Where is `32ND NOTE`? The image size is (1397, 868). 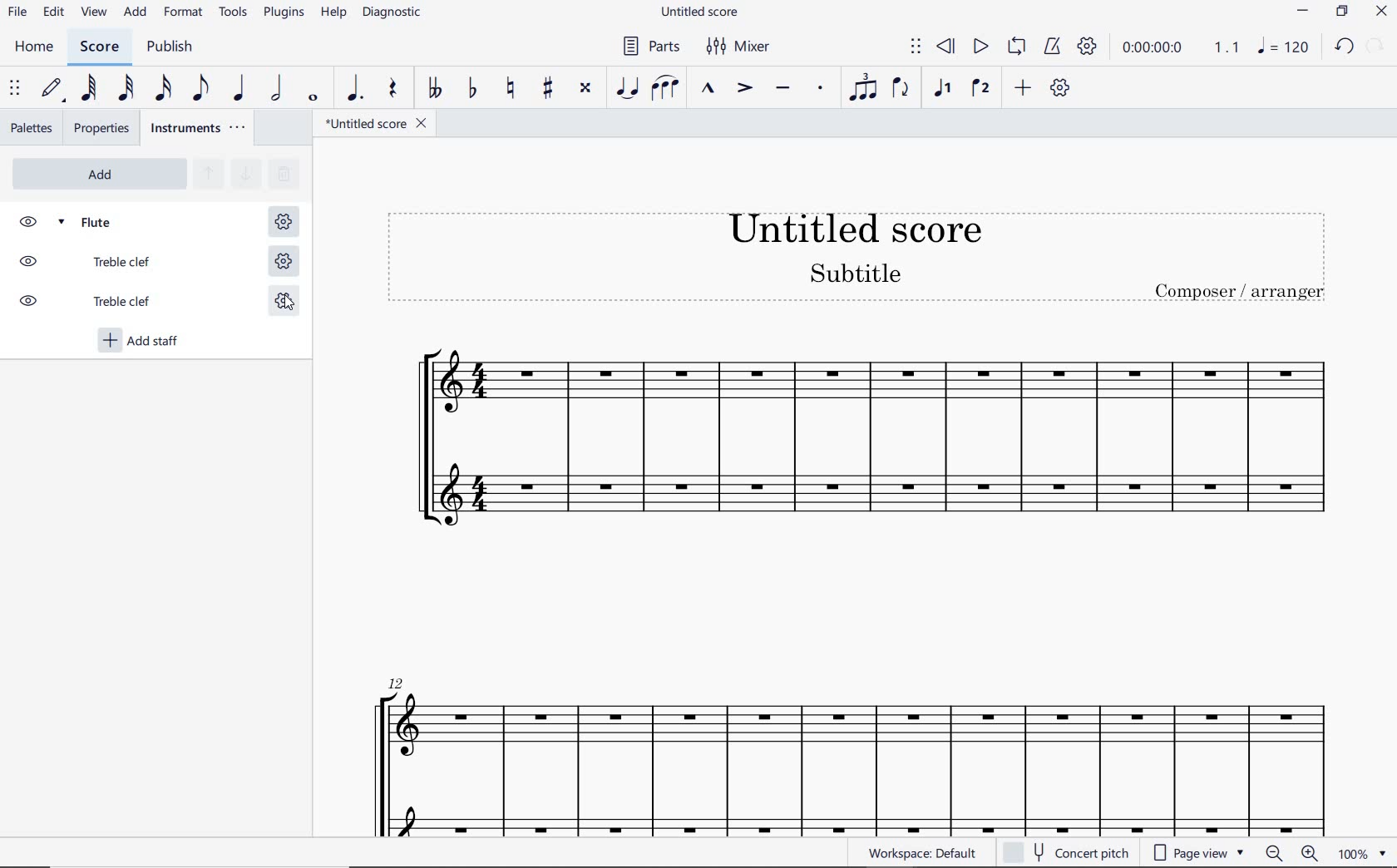
32ND NOTE is located at coordinates (126, 89).